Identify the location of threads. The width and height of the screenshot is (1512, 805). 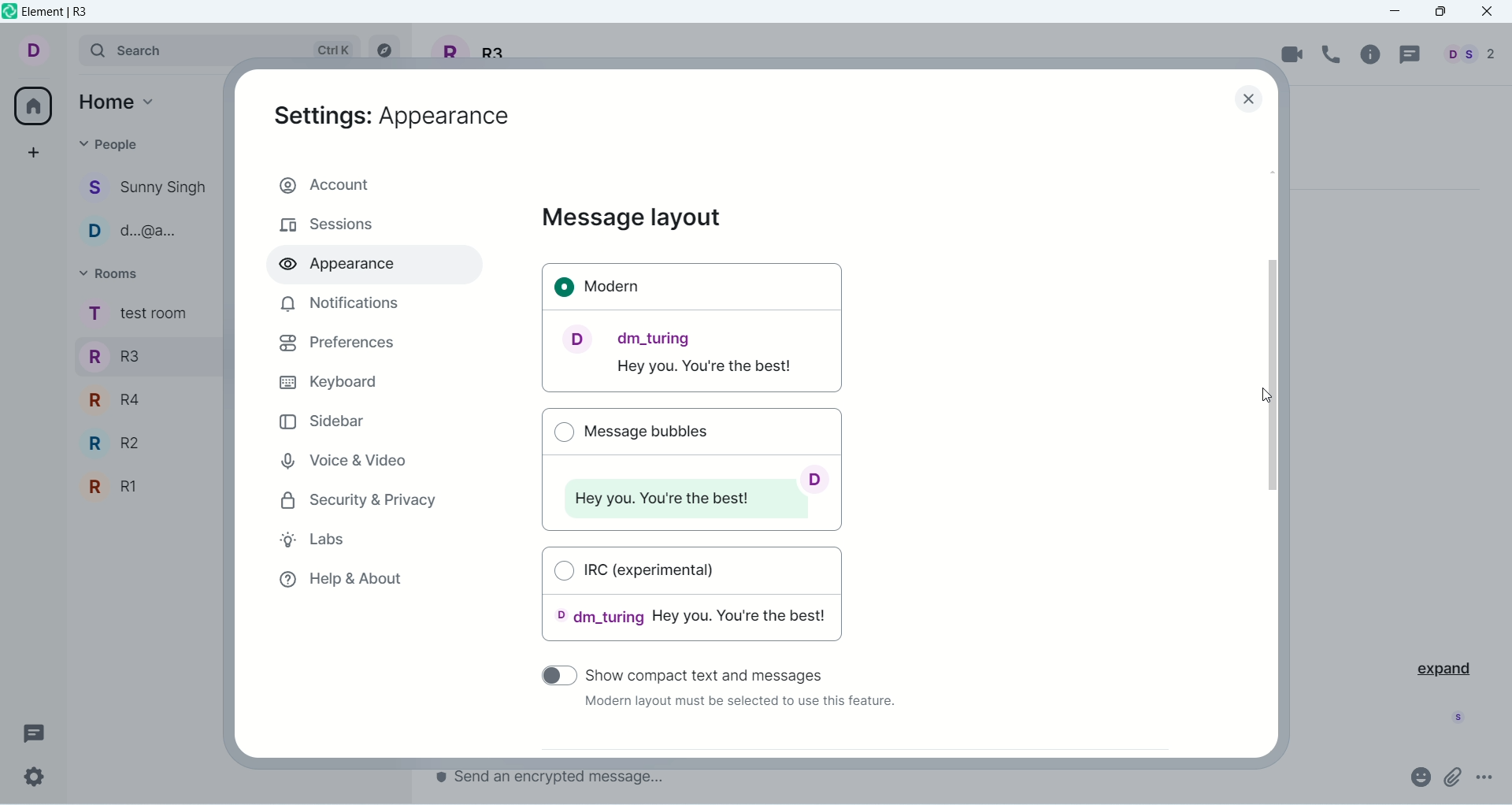
(34, 730).